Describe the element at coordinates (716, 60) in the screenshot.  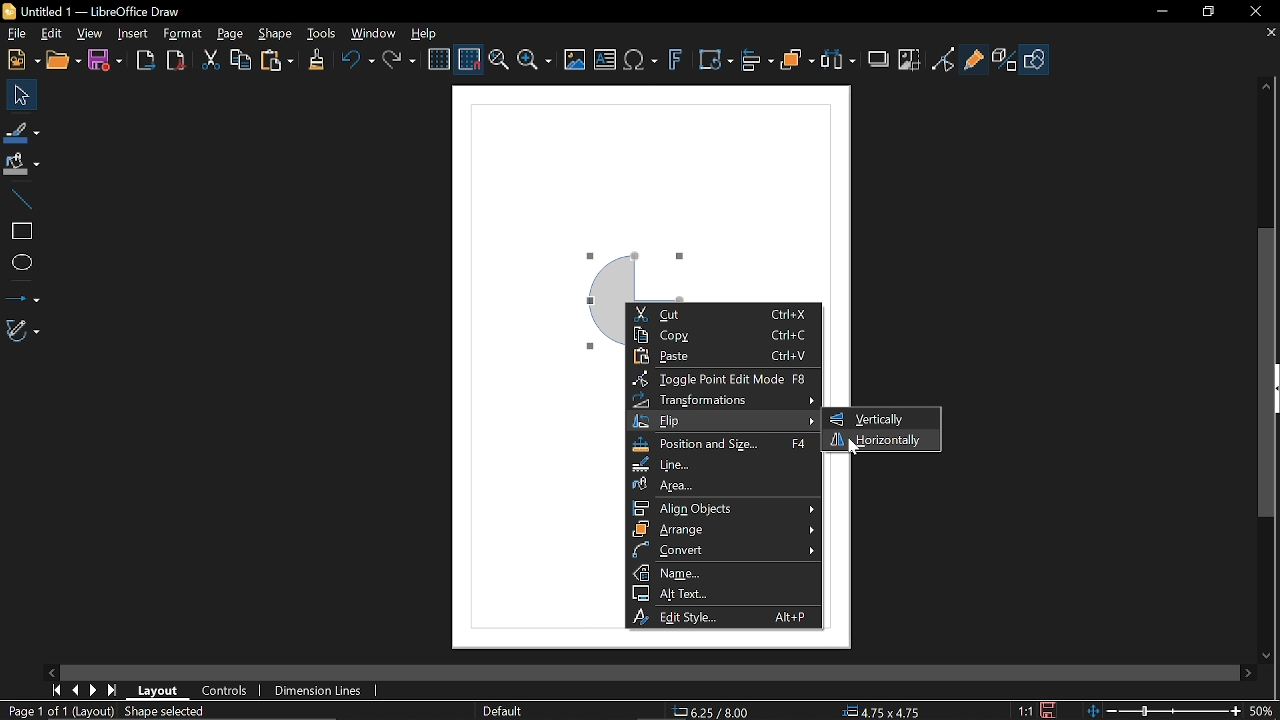
I see `Transformation` at that location.